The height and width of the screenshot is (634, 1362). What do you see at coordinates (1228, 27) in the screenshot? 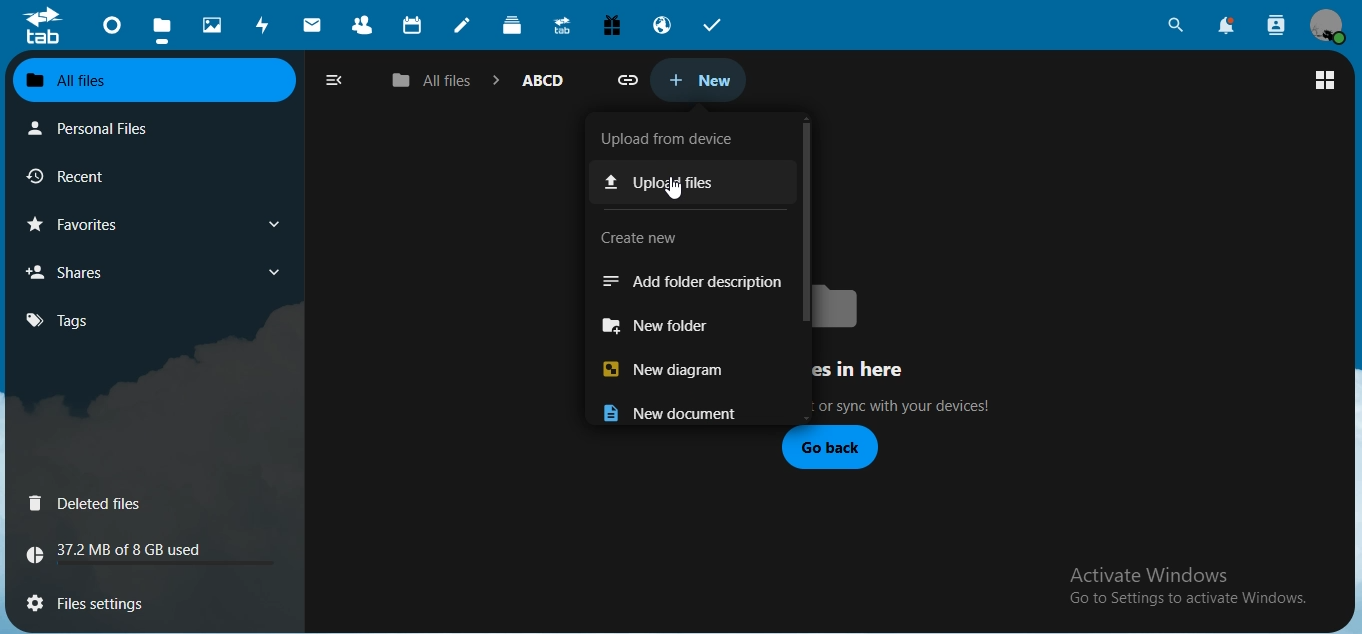
I see `notifications` at bounding box center [1228, 27].